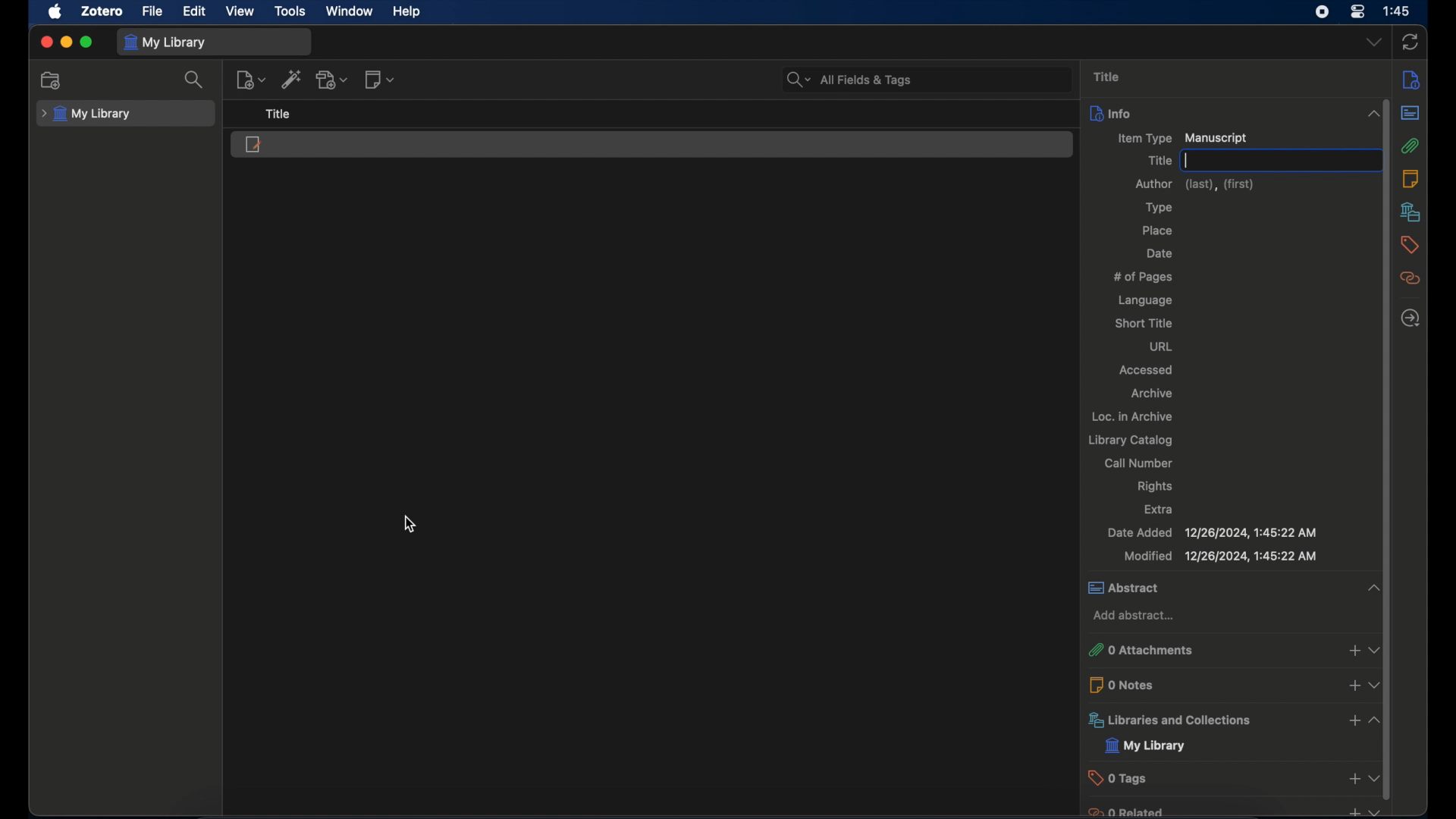 This screenshot has width=1456, height=819. Describe the element at coordinates (241, 11) in the screenshot. I see `view` at that location.